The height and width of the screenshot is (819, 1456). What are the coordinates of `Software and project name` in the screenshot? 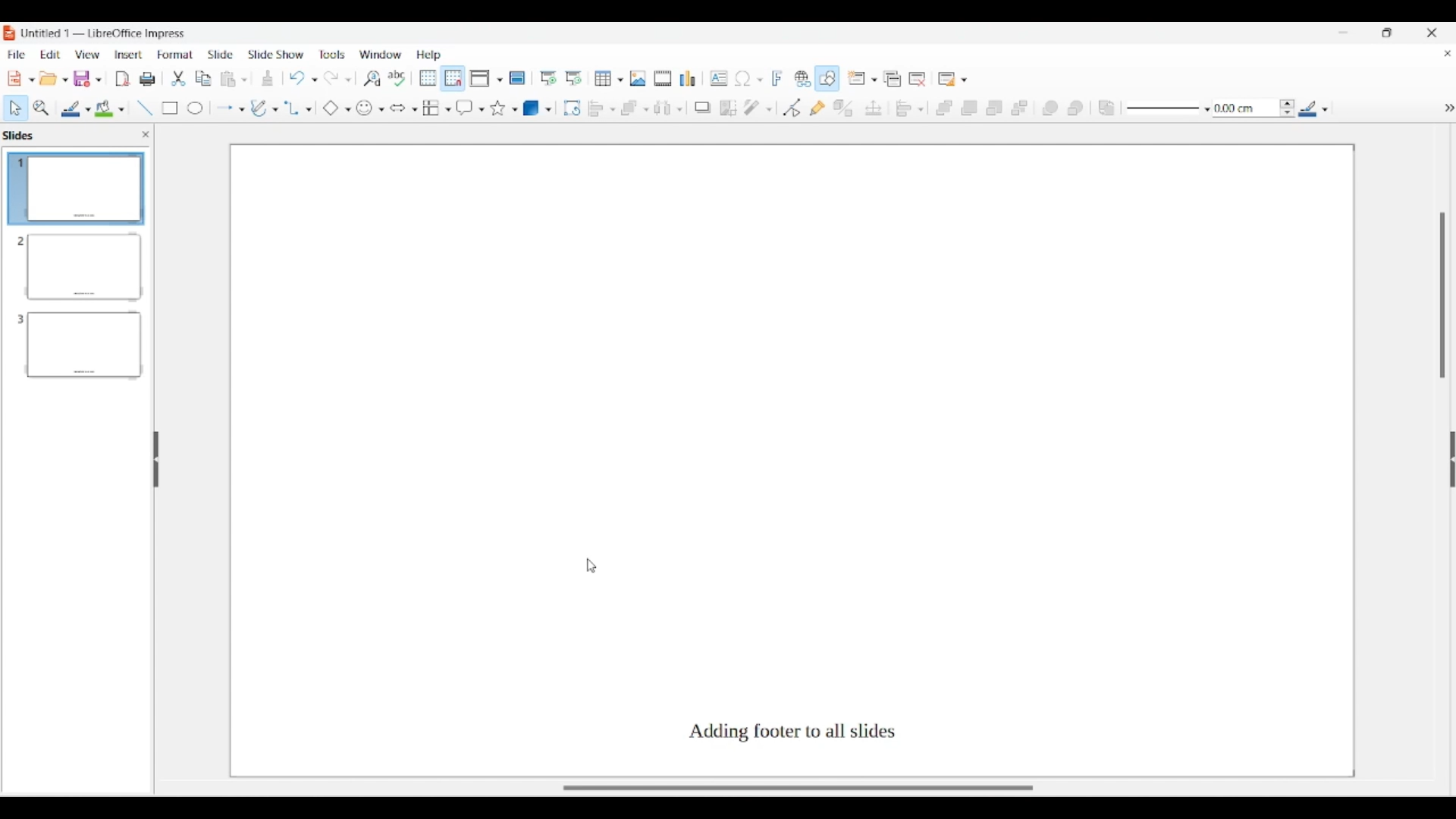 It's located at (105, 34).